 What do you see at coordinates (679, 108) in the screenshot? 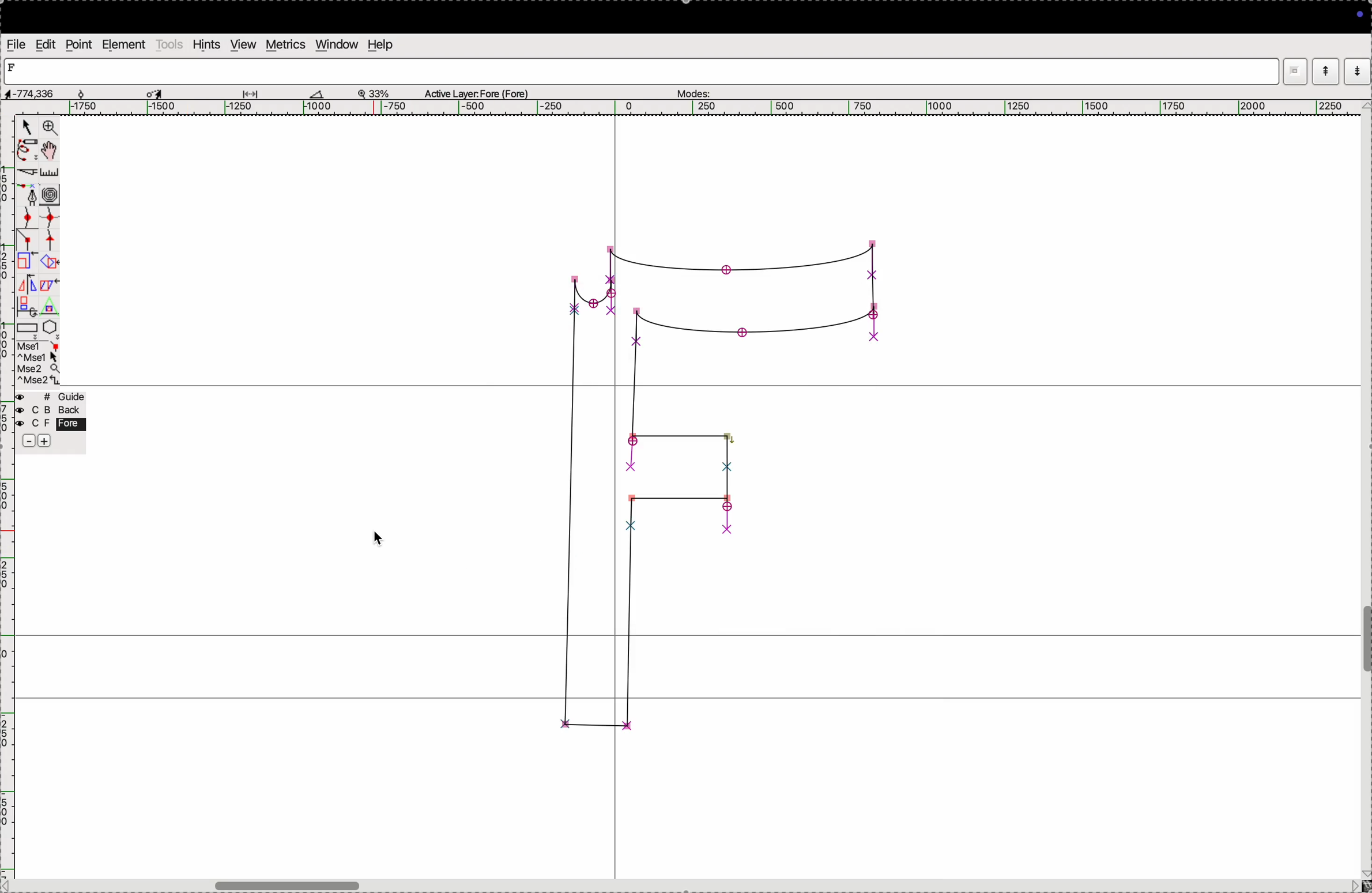
I see `horizontal scale` at bounding box center [679, 108].